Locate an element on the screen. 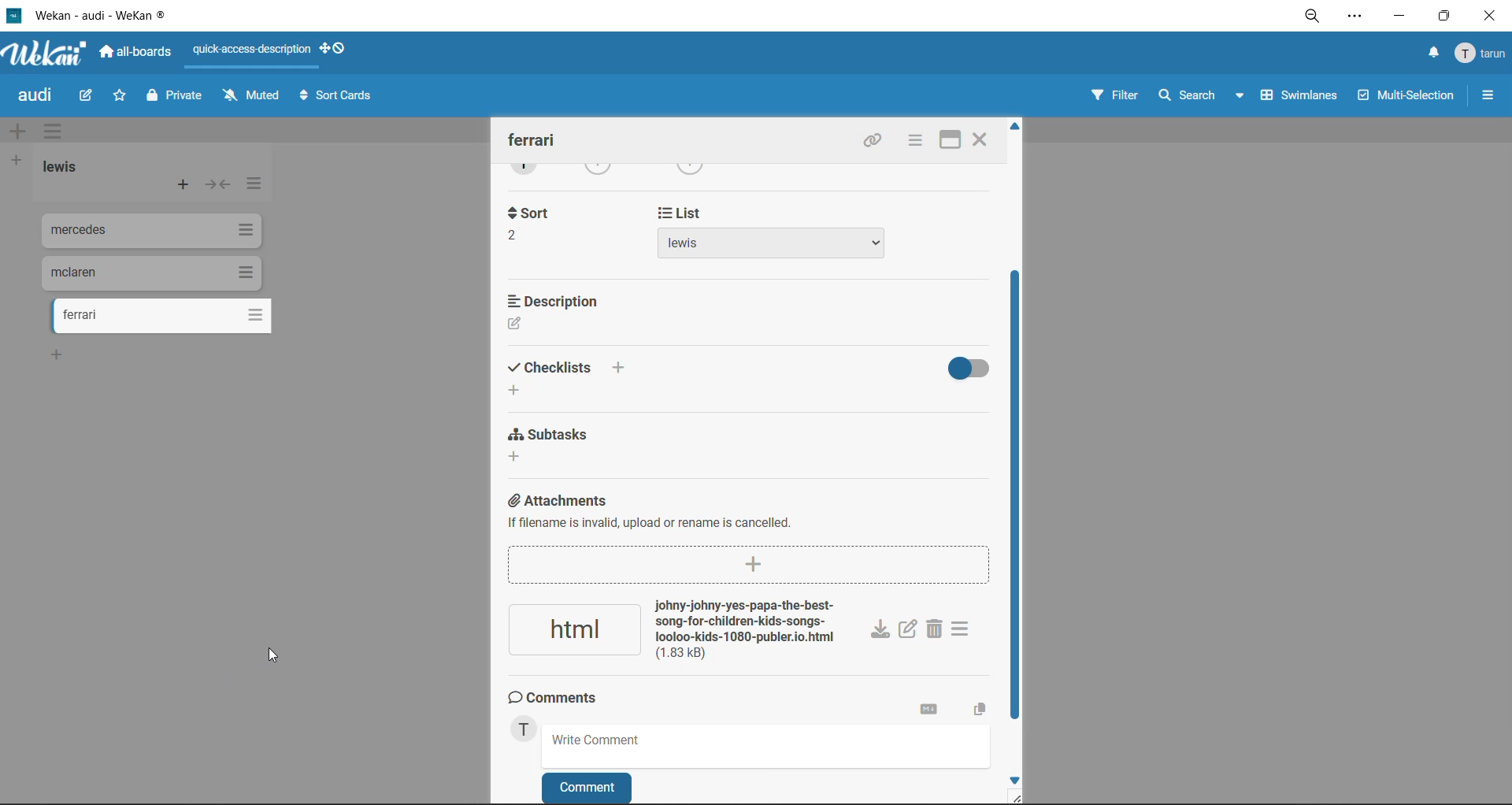 The width and height of the screenshot is (1512, 805). comments is located at coordinates (553, 698).